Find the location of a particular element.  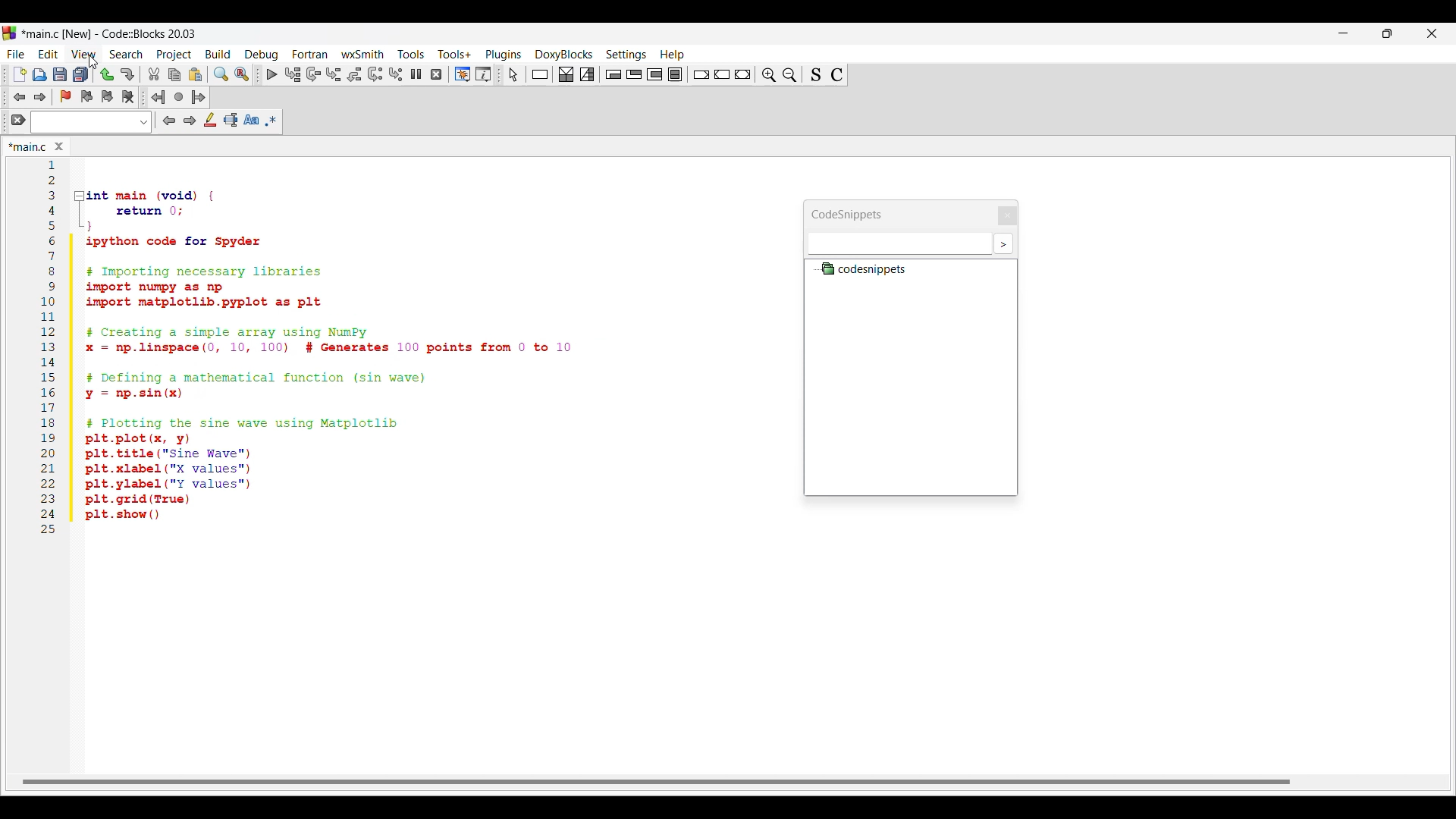

Continue instruction is located at coordinates (722, 74).